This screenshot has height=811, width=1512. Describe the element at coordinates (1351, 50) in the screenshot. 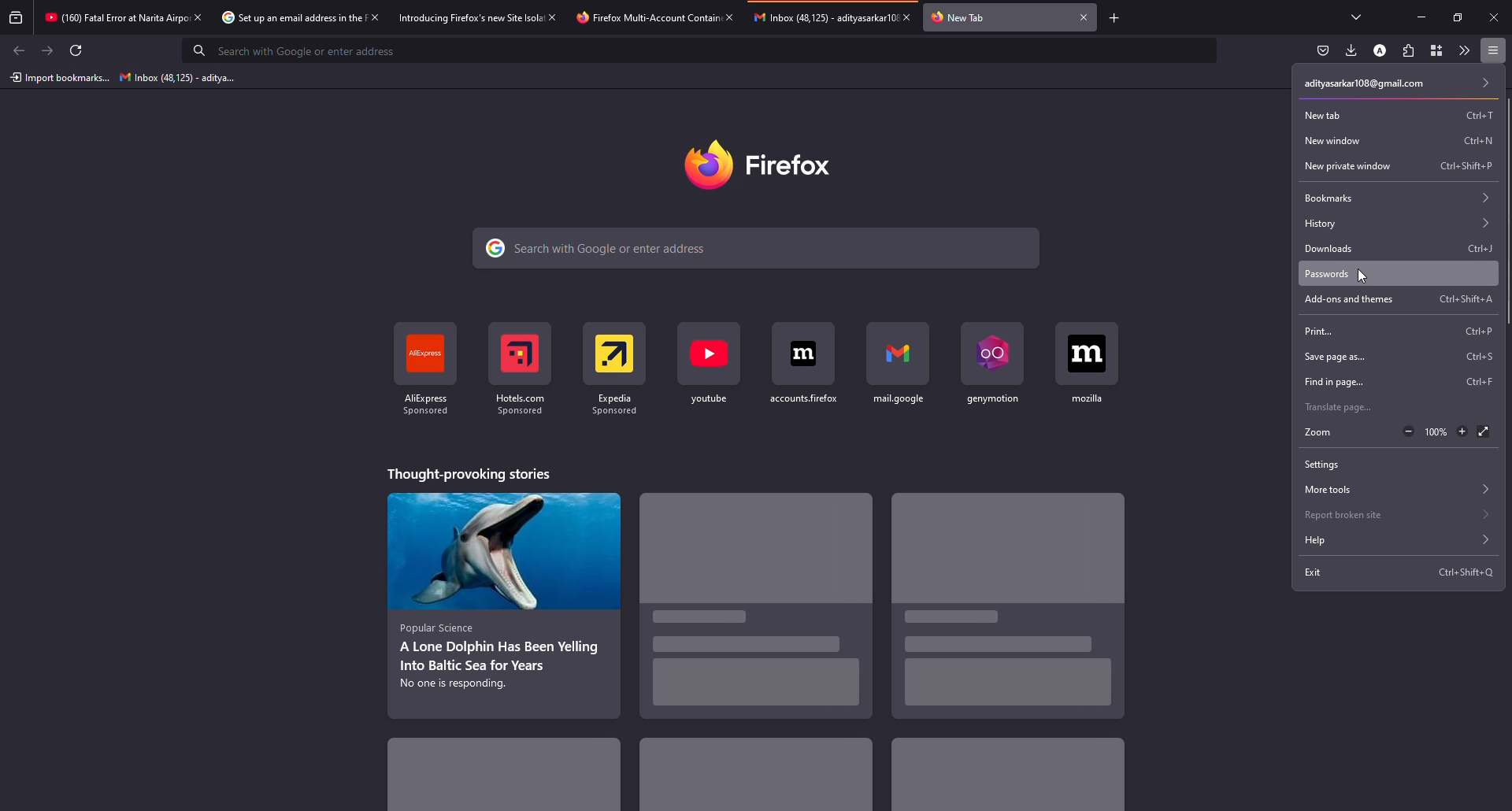

I see `downloads` at that location.